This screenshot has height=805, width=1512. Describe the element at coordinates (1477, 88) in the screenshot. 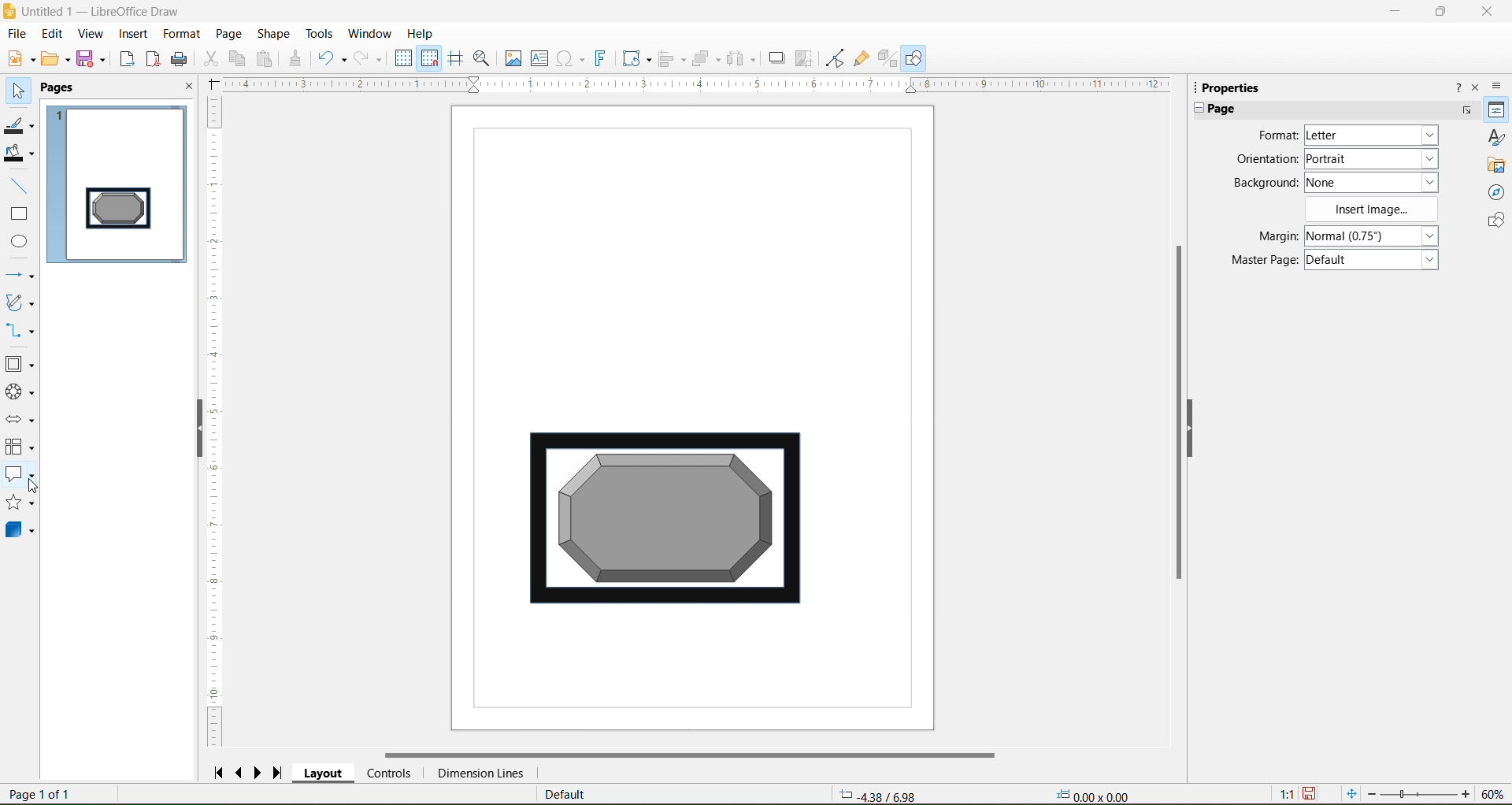

I see `Close sidebar deck` at that location.